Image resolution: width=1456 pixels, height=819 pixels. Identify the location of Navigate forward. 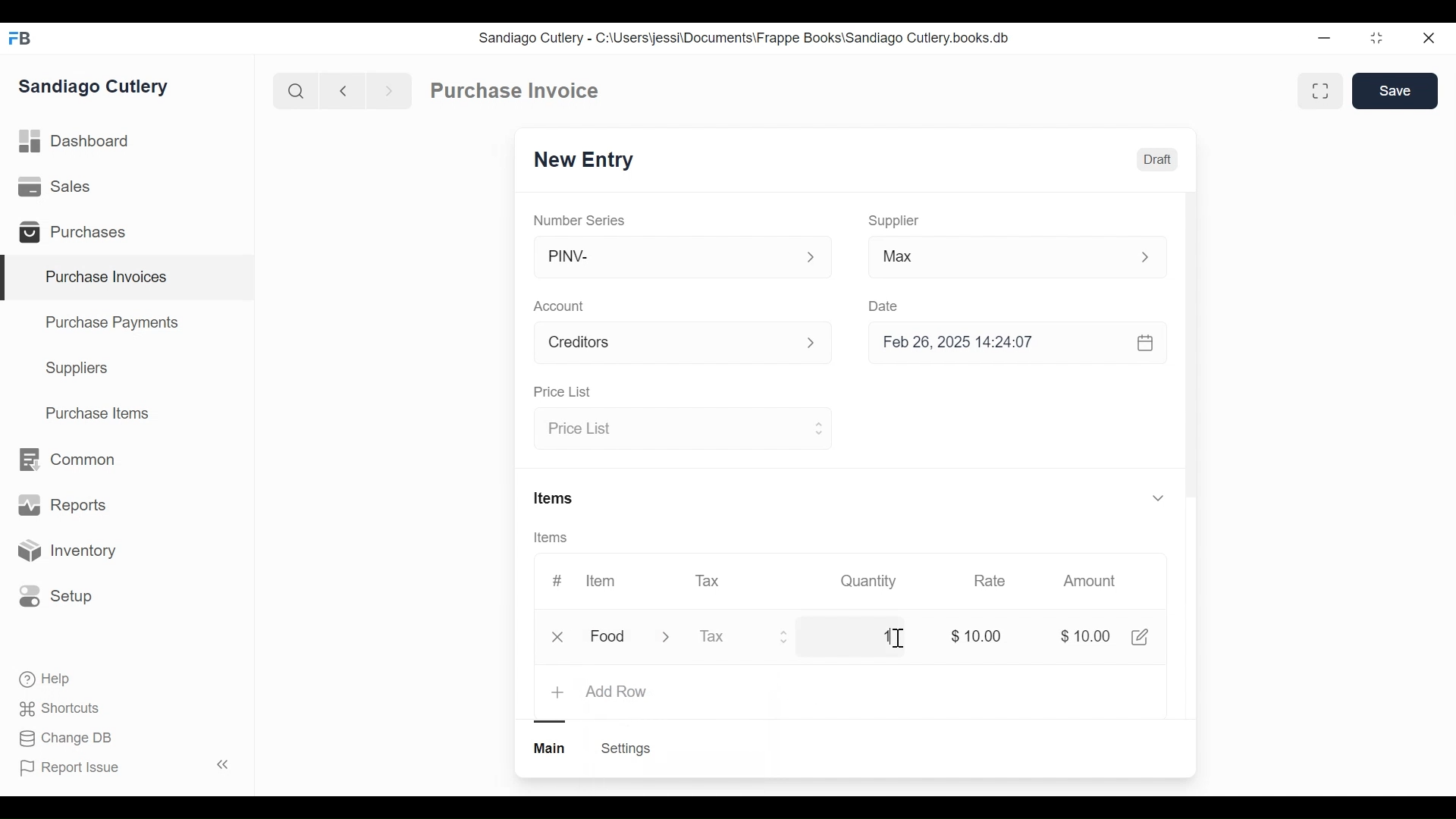
(388, 89).